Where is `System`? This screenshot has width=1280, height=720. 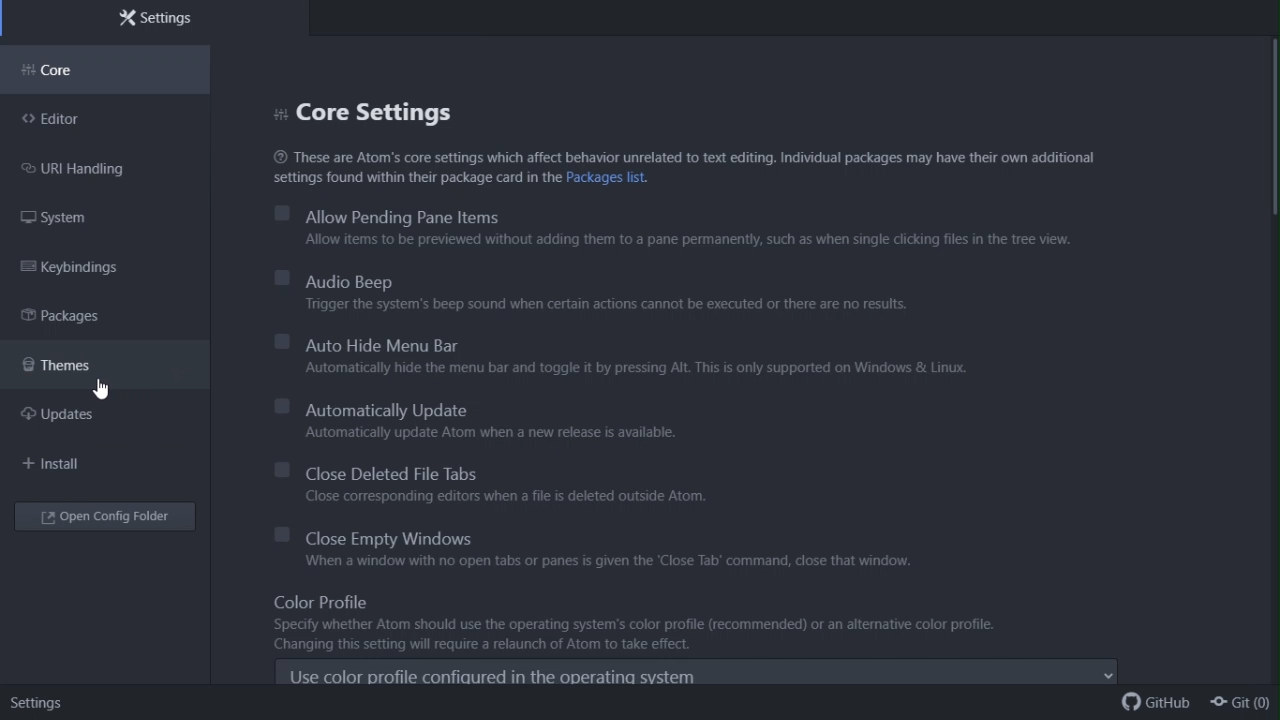
System is located at coordinates (61, 219).